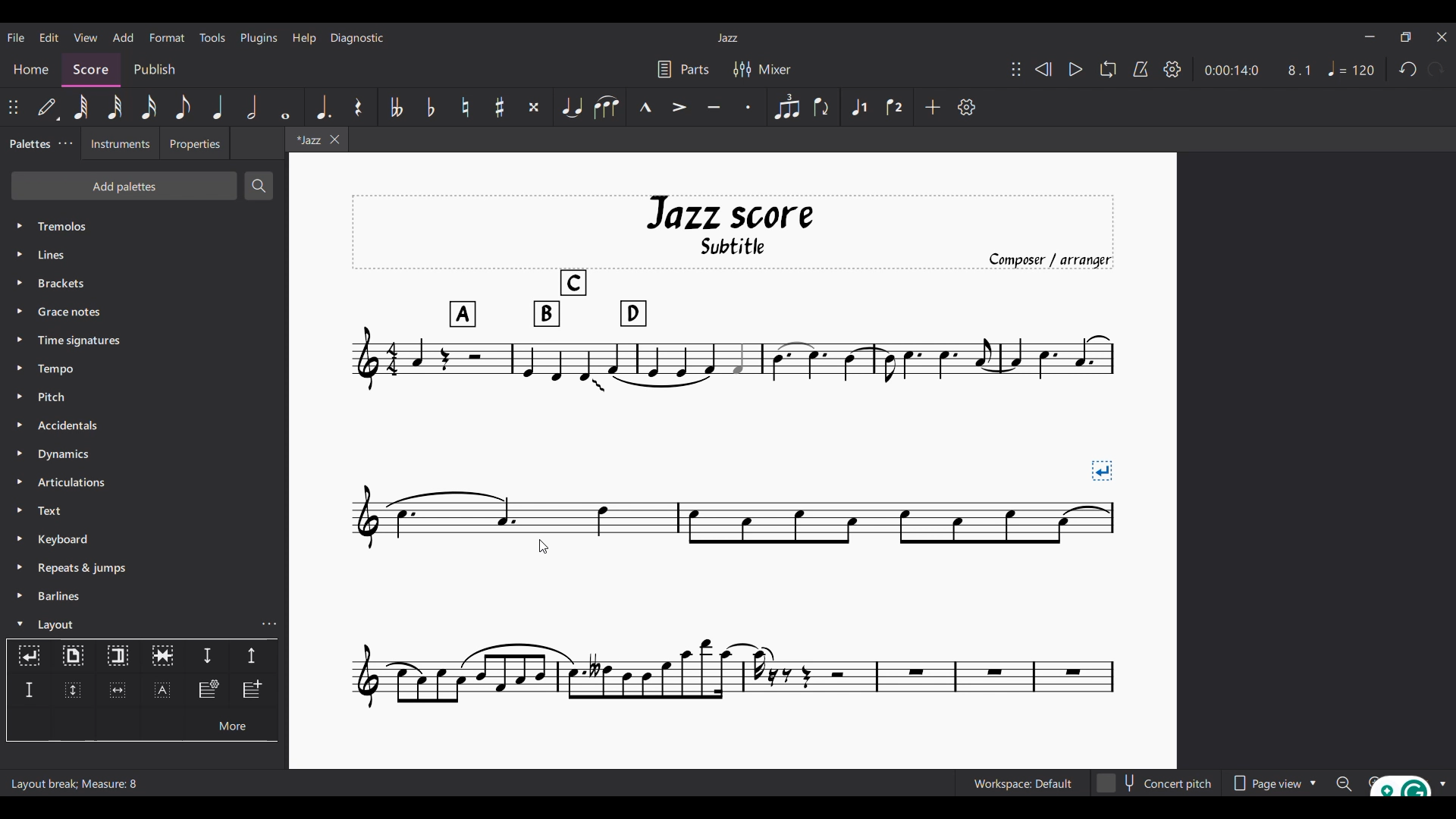  I want to click on Accidentals, so click(144, 425).